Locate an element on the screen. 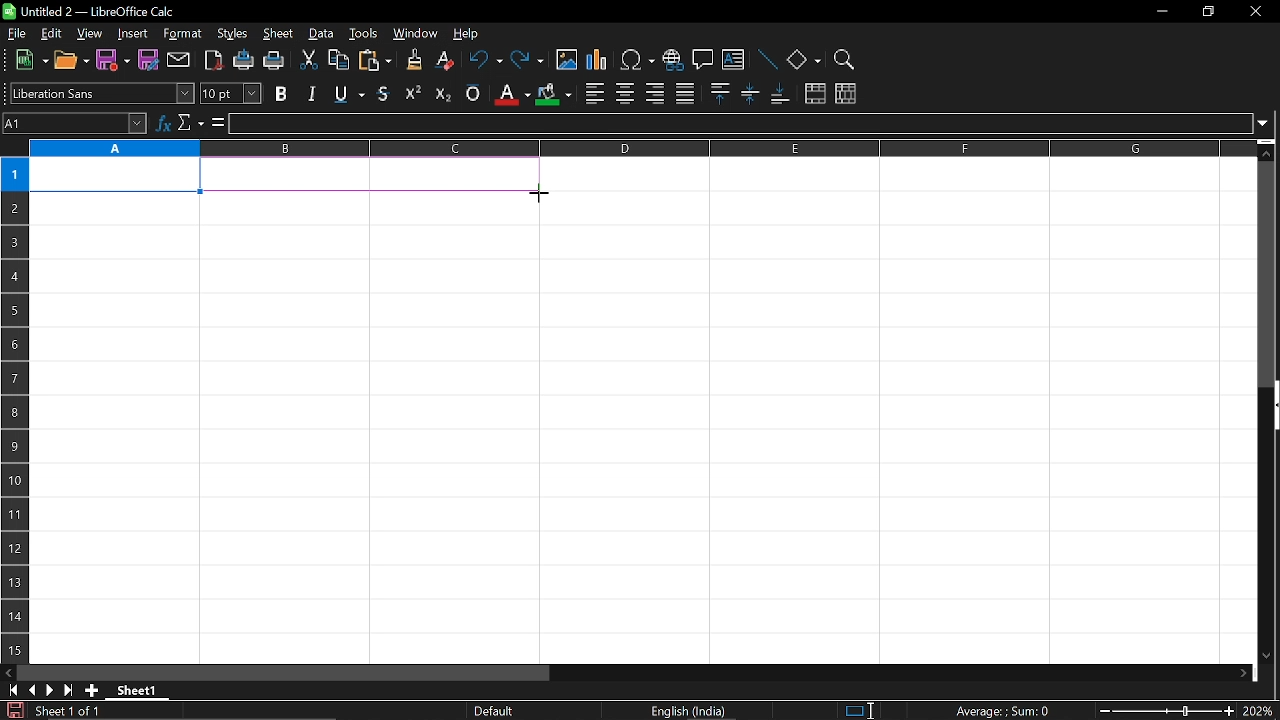  insert comment is located at coordinates (702, 60).